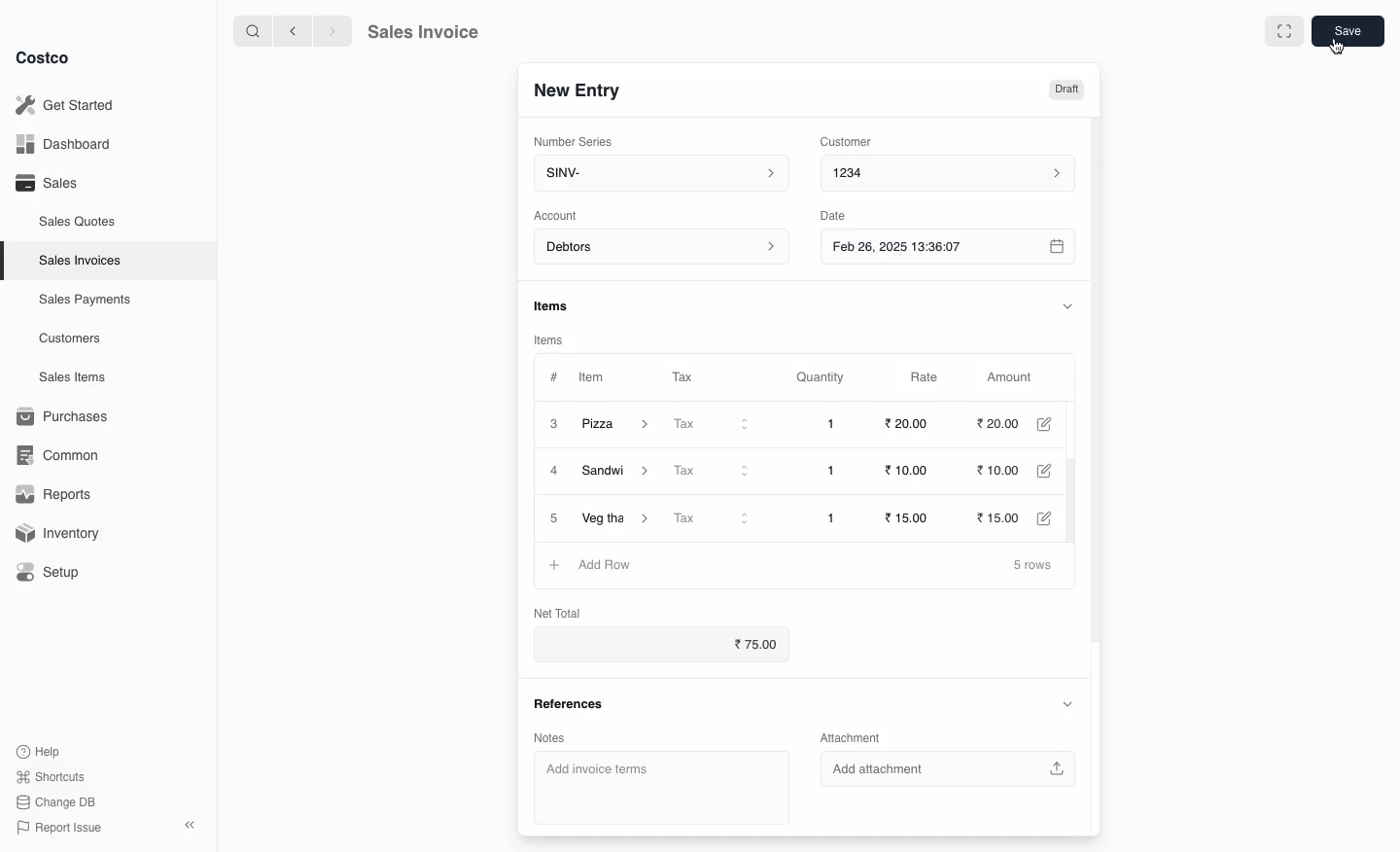 The image size is (1400, 852). I want to click on Collapse, so click(192, 826).